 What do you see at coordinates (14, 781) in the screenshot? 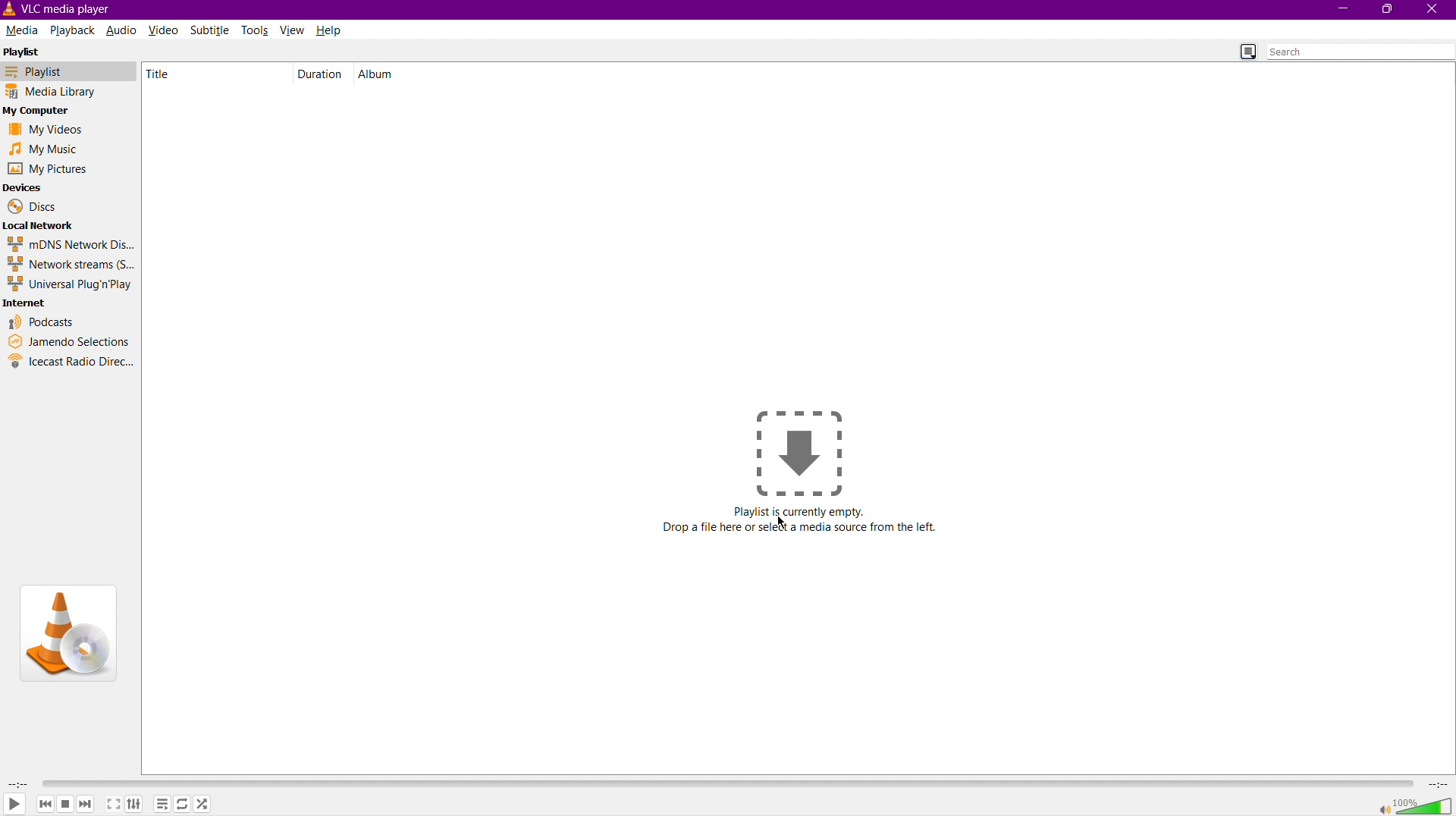
I see `Duration` at bounding box center [14, 781].